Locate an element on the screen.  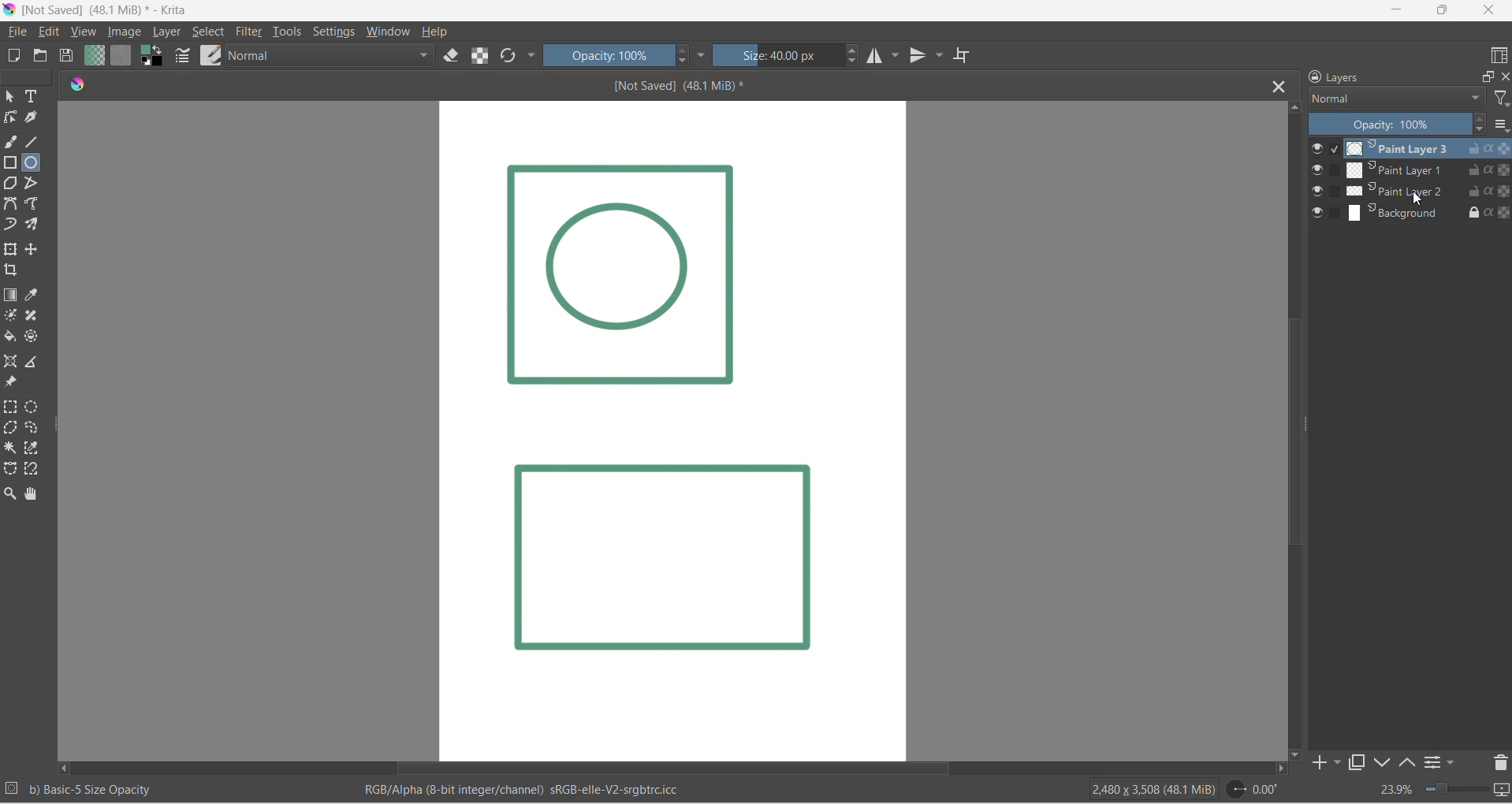
0.00 is located at coordinates (1252, 791).